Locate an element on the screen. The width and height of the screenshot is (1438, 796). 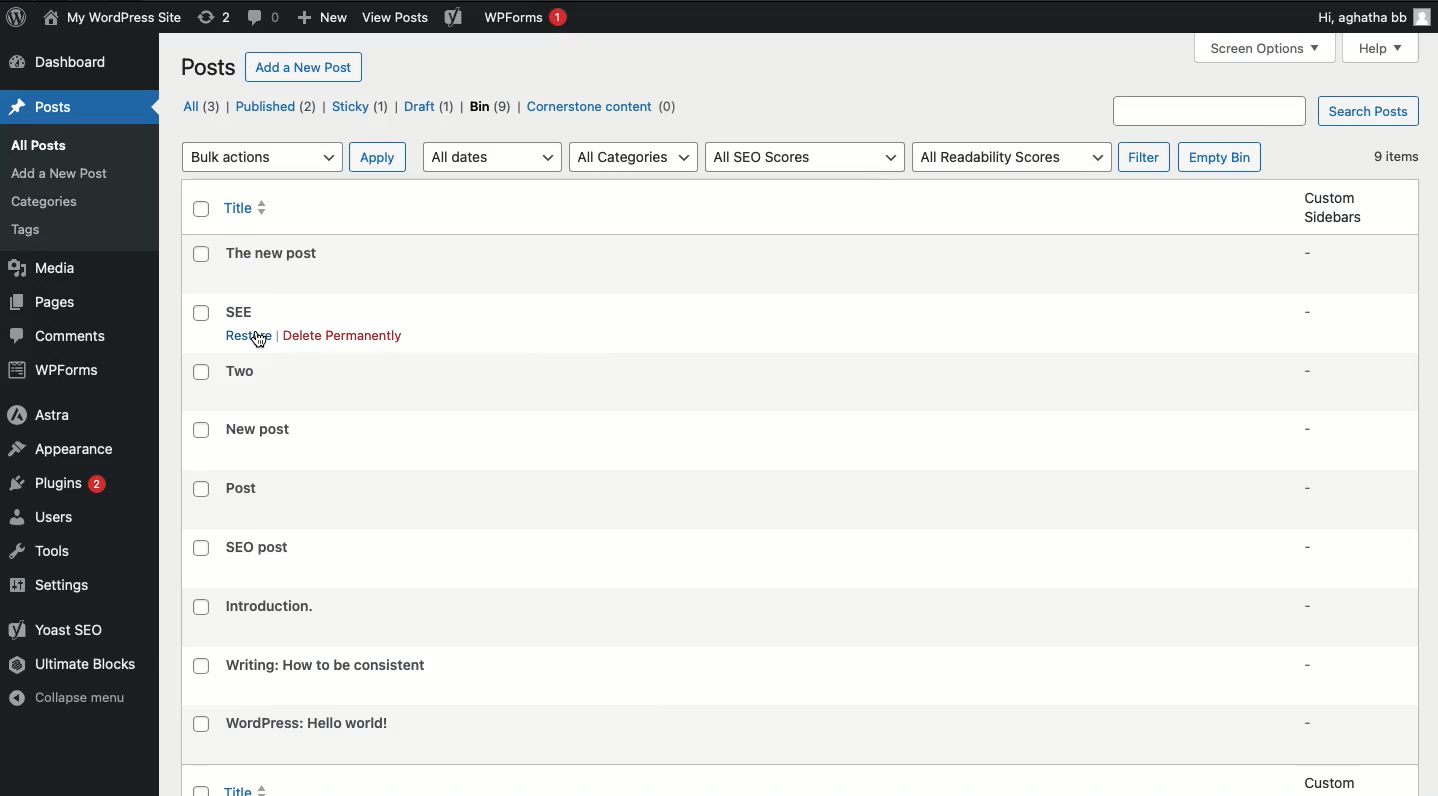
all readability scores is located at coordinates (1015, 156).